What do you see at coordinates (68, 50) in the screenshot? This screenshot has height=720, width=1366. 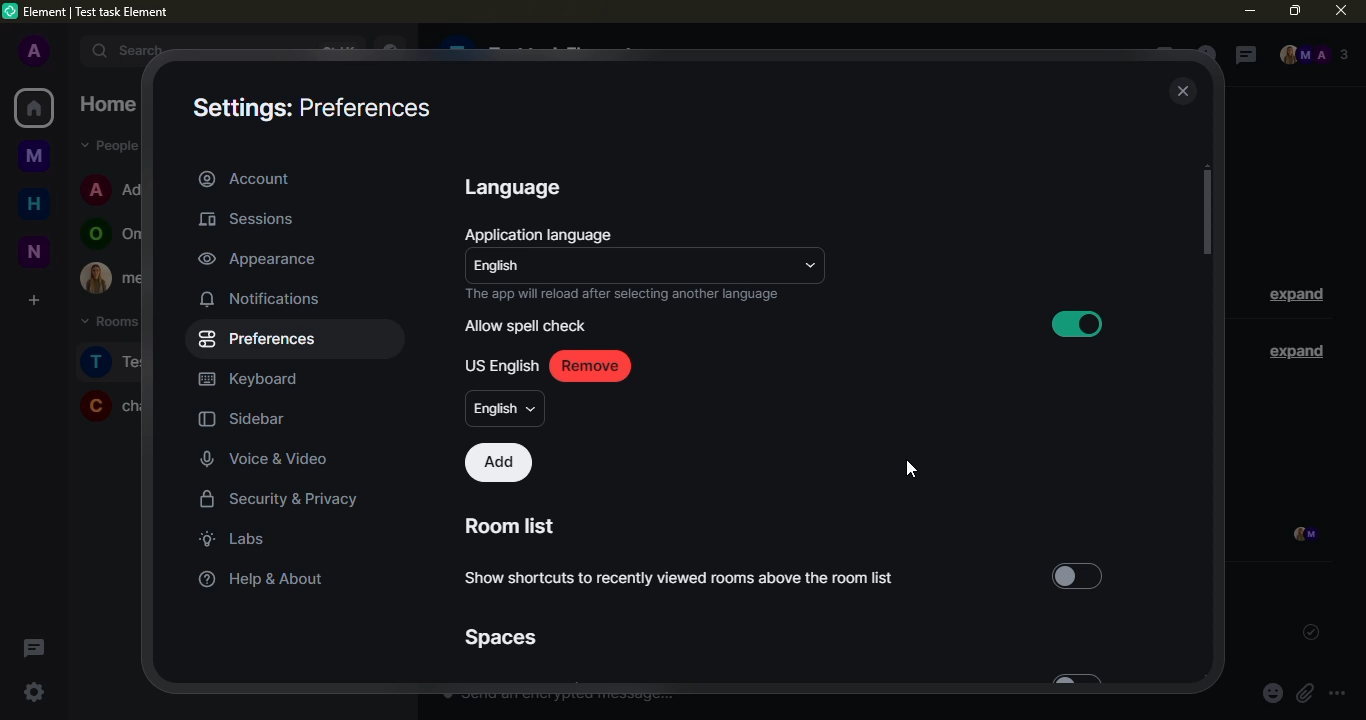 I see `expand` at bounding box center [68, 50].